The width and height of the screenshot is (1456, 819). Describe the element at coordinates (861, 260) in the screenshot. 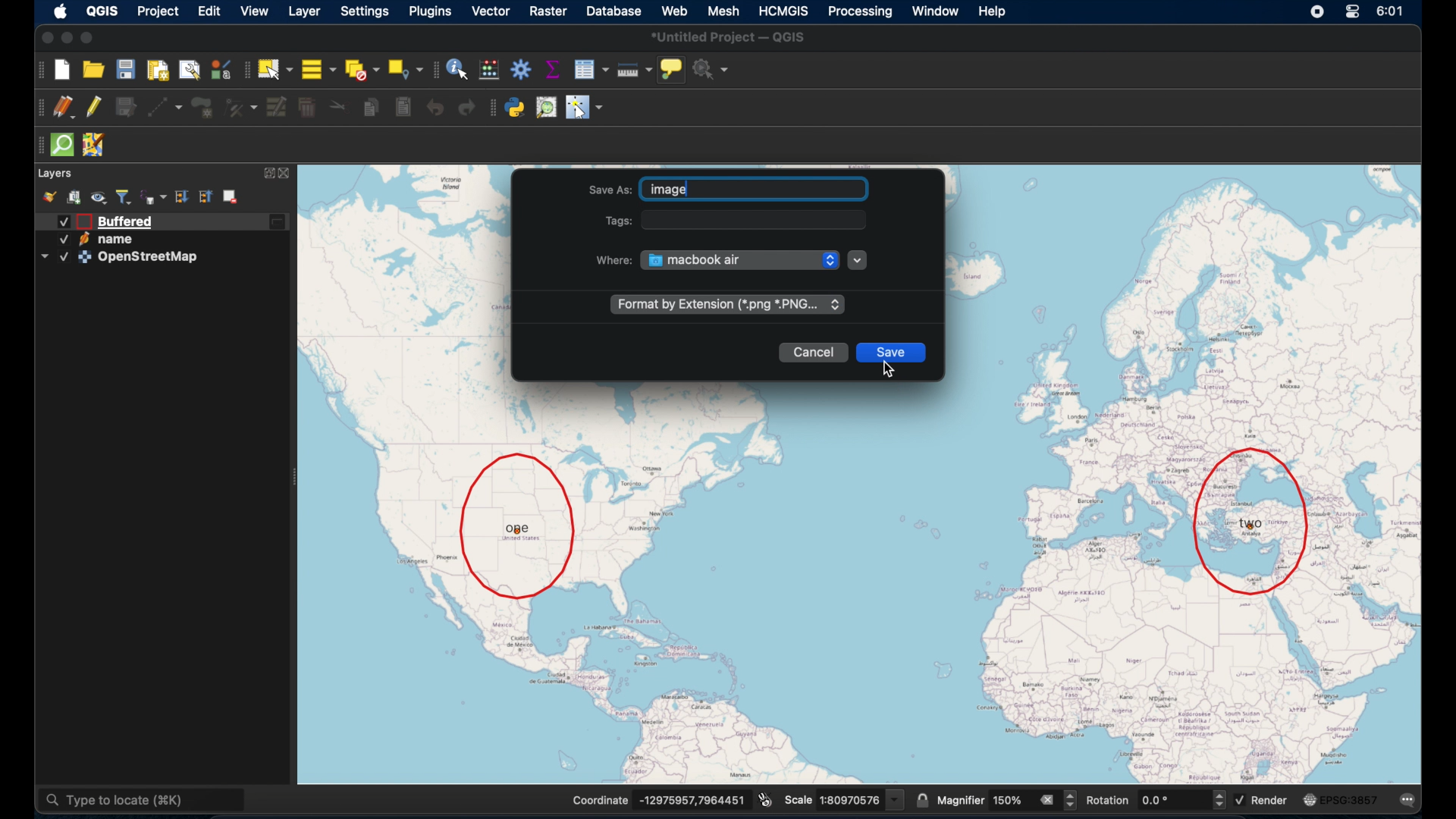

I see `dropdown` at that location.